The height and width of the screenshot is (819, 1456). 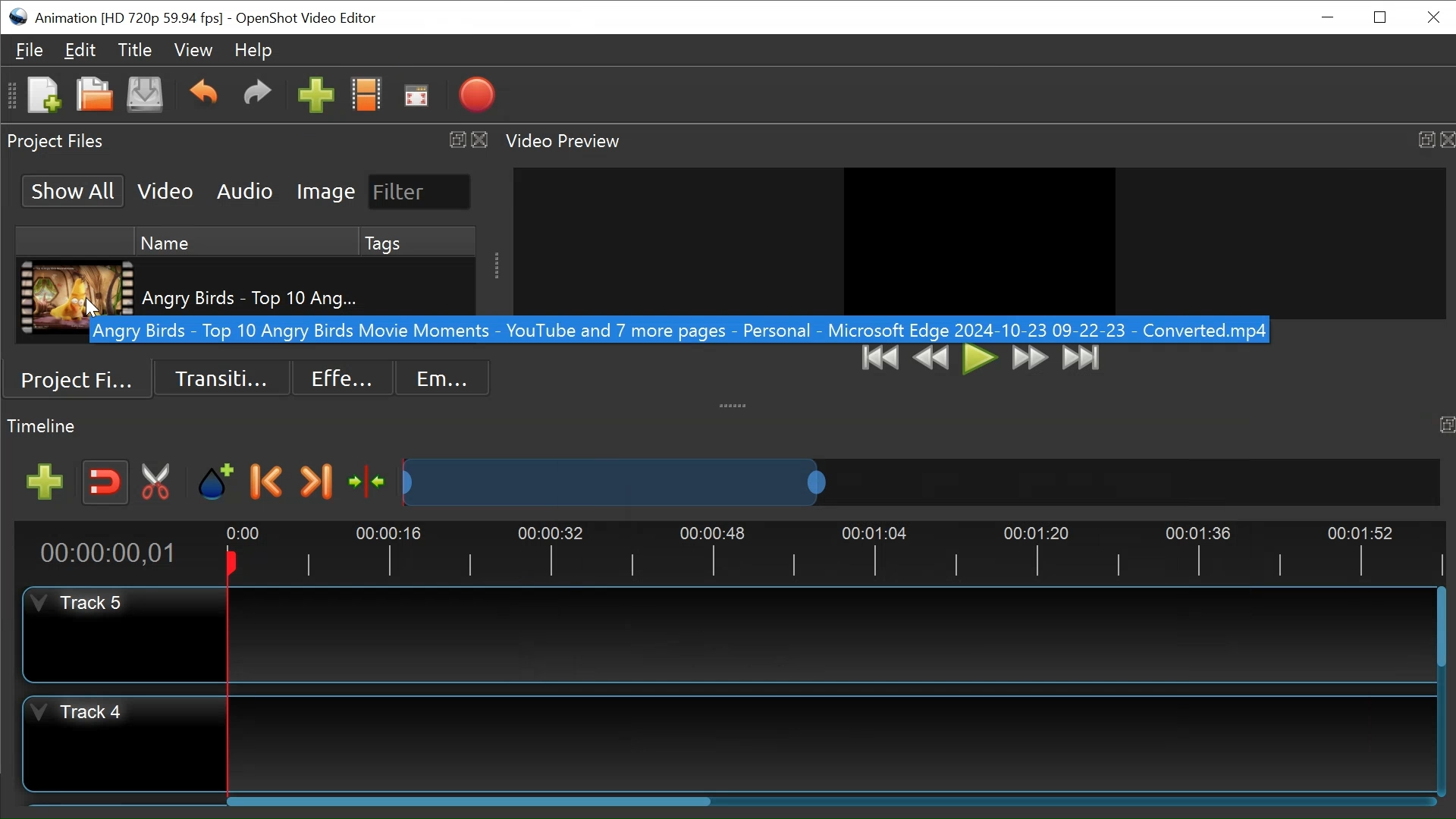 What do you see at coordinates (571, 142) in the screenshot?
I see `Video Previe Panel` at bounding box center [571, 142].